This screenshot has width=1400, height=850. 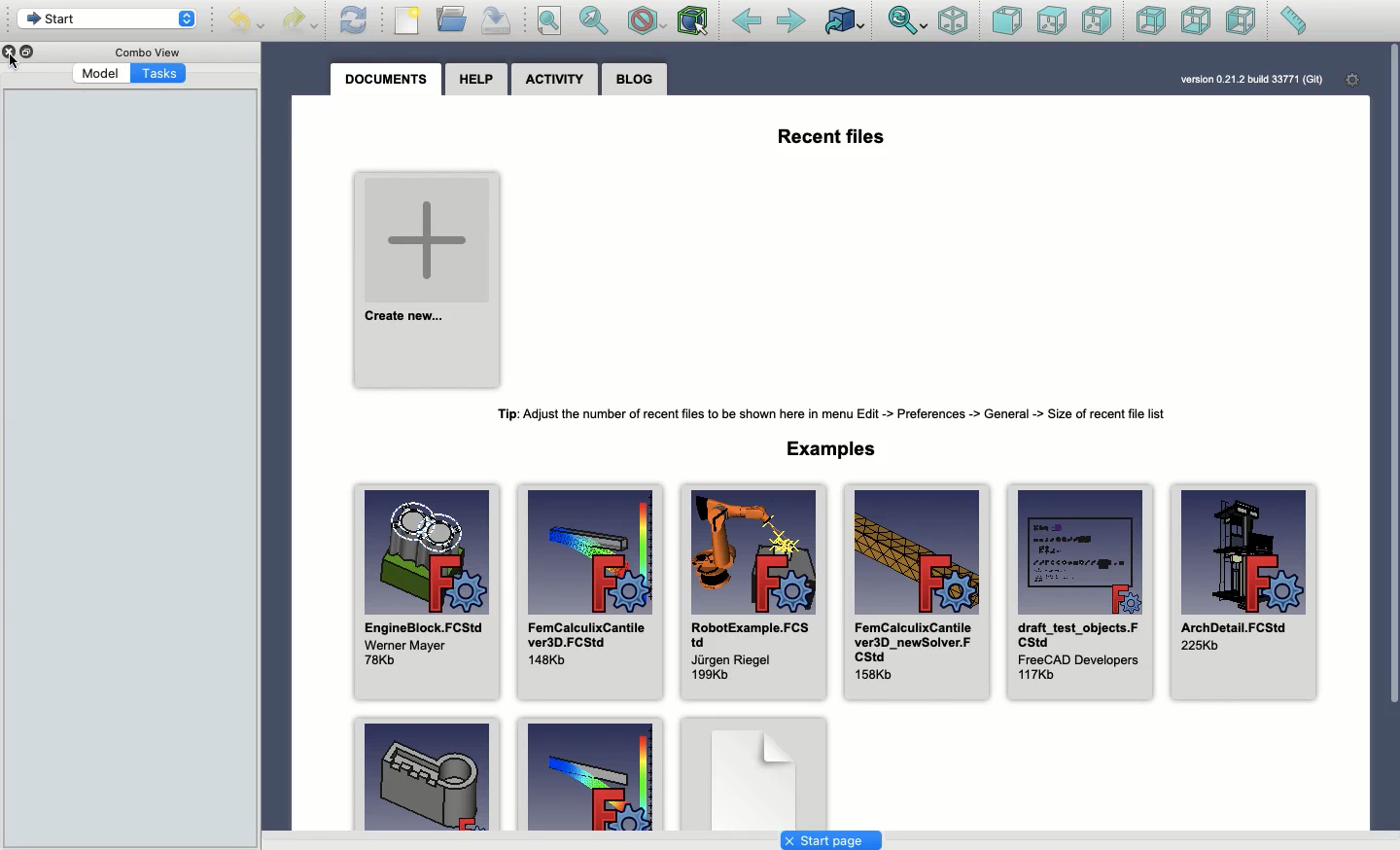 I want to click on Start page, so click(x=831, y=840).